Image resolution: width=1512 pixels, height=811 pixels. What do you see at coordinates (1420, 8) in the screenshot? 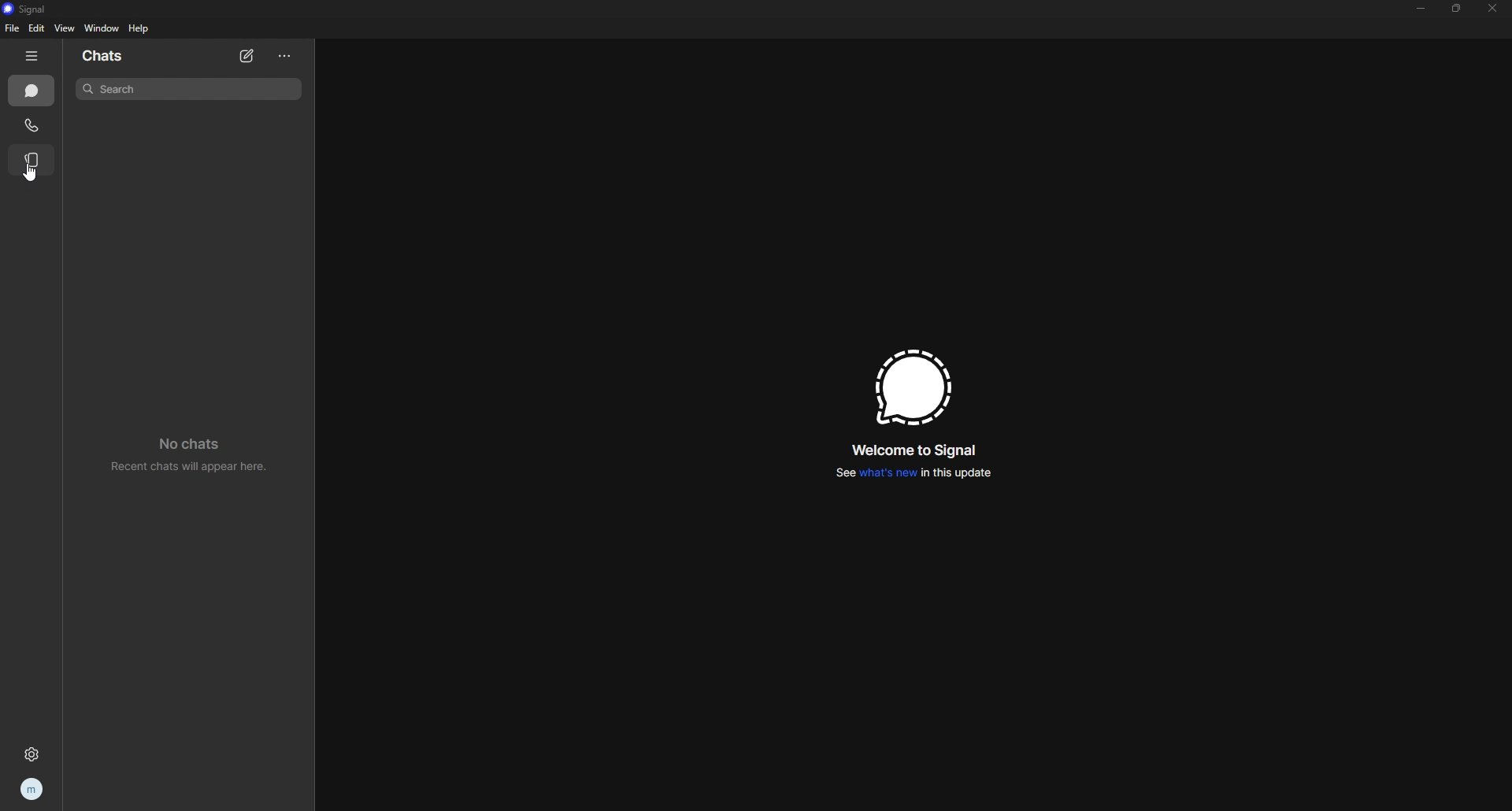
I see `minimize` at bounding box center [1420, 8].